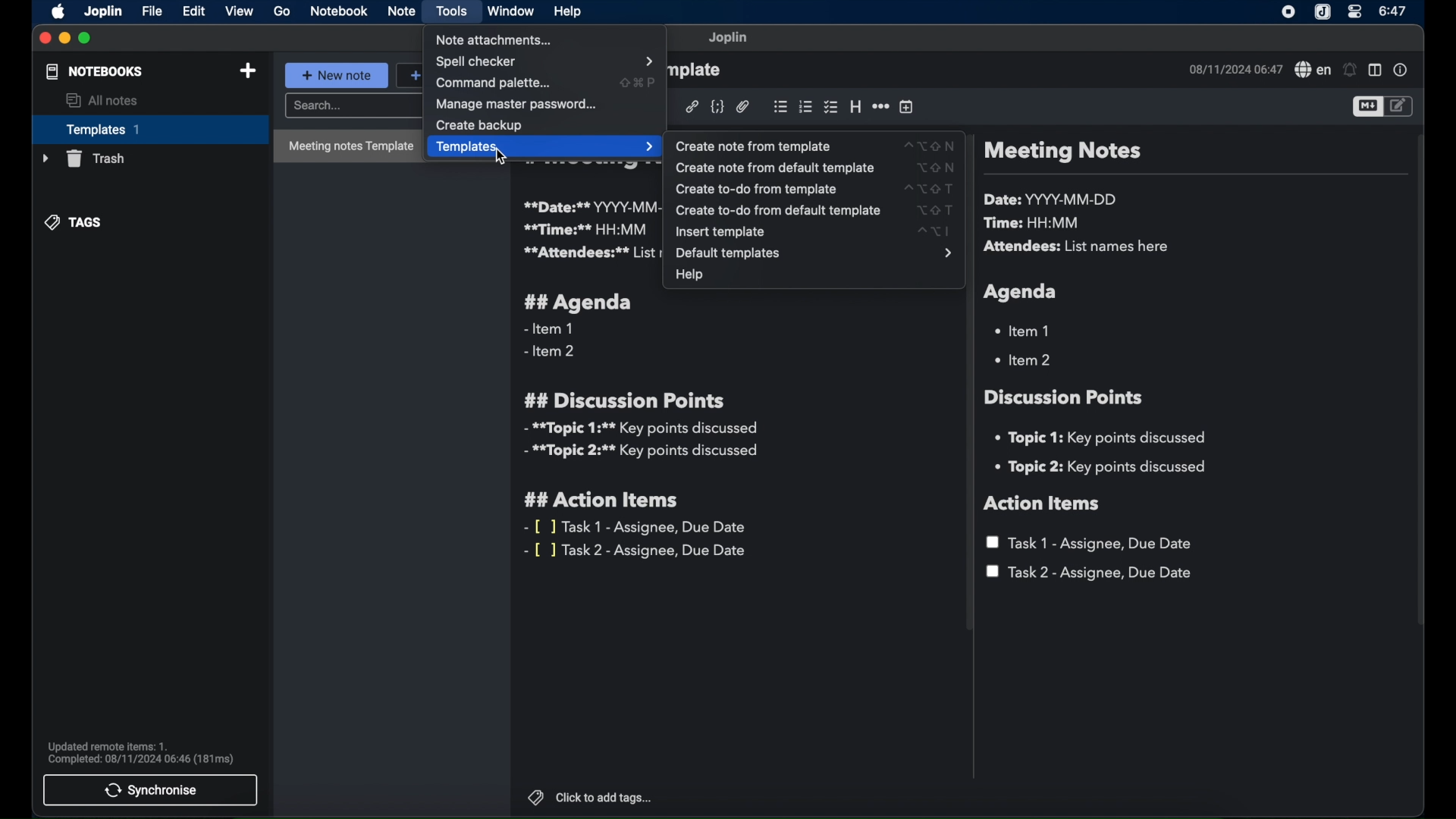  Describe the element at coordinates (692, 106) in the screenshot. I see `hyperlink` at that location.